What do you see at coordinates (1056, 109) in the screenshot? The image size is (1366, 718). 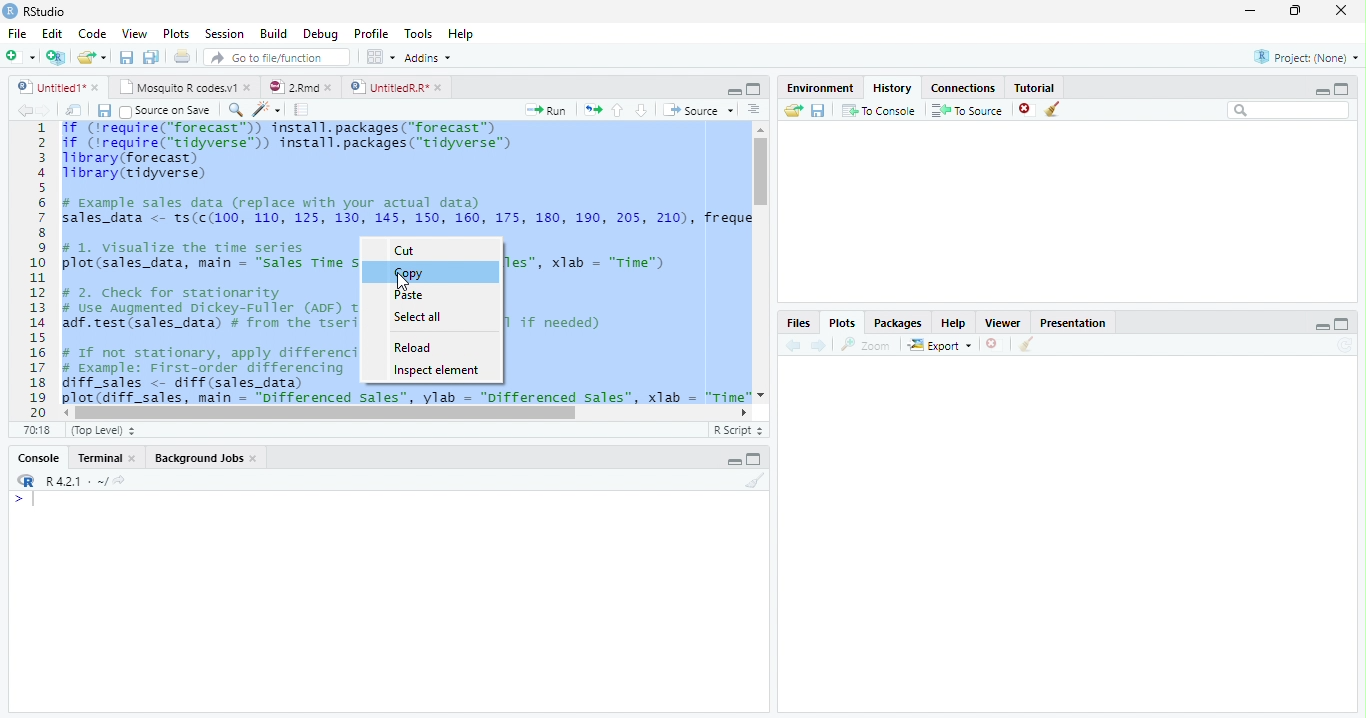 I see `Clean` at bounding box center [1056, 109].